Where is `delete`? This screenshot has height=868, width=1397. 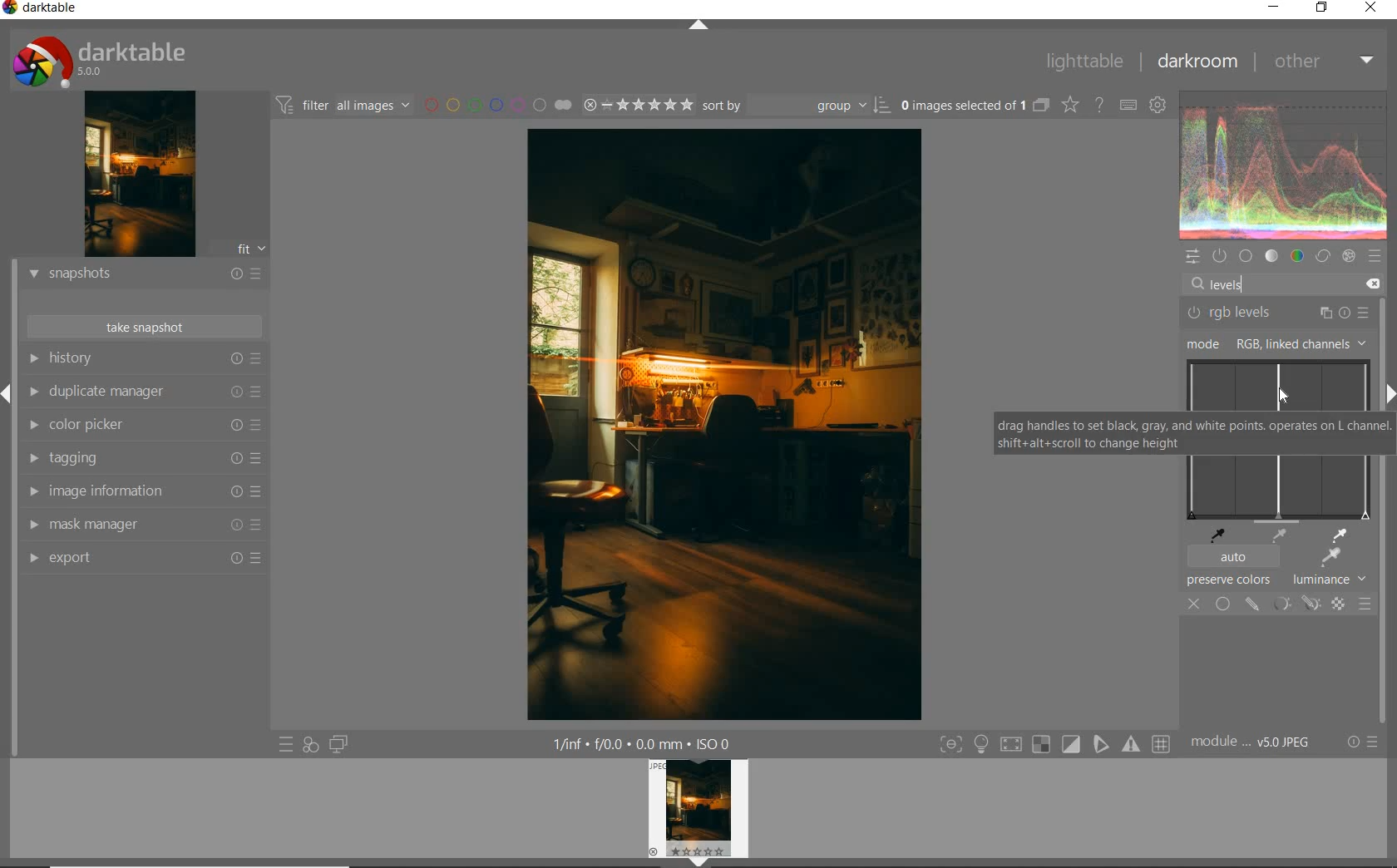 delete is located at coordinates (1374, 284).